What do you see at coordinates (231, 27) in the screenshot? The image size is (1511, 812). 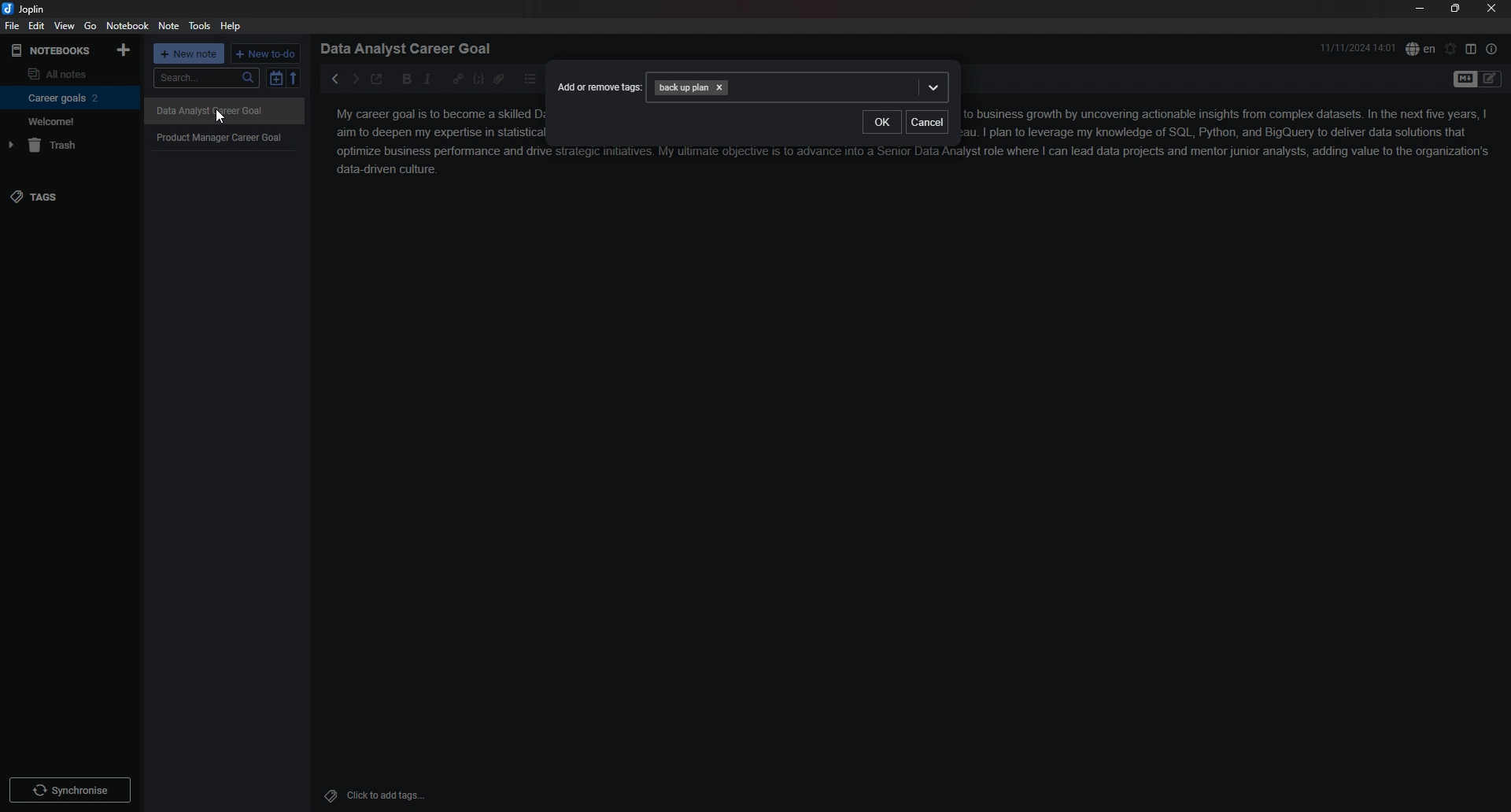 I see `help` at bounding box center [231, 27].